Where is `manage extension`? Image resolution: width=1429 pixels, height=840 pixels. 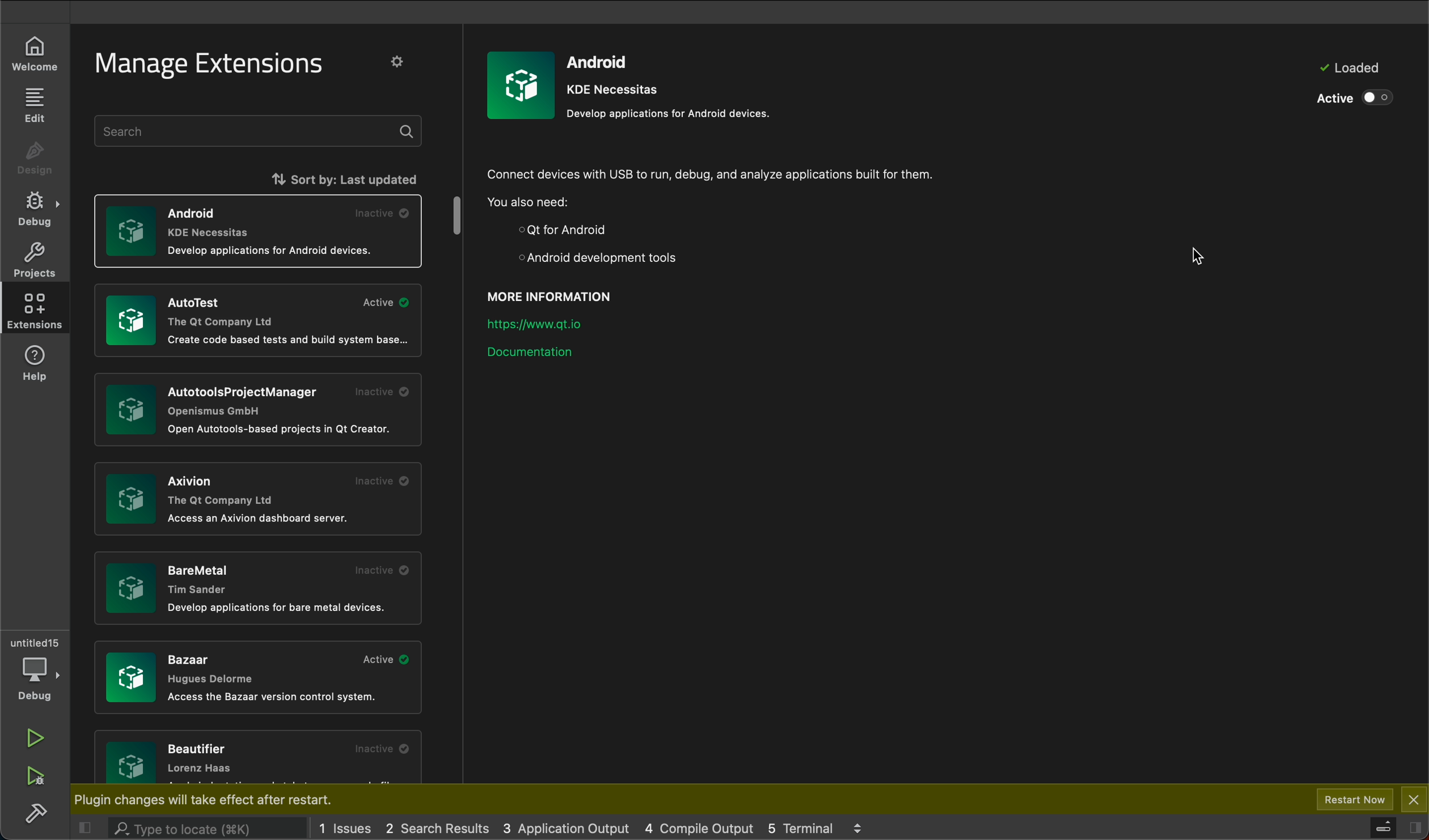
manage extension is located at coordinates (212, 65).